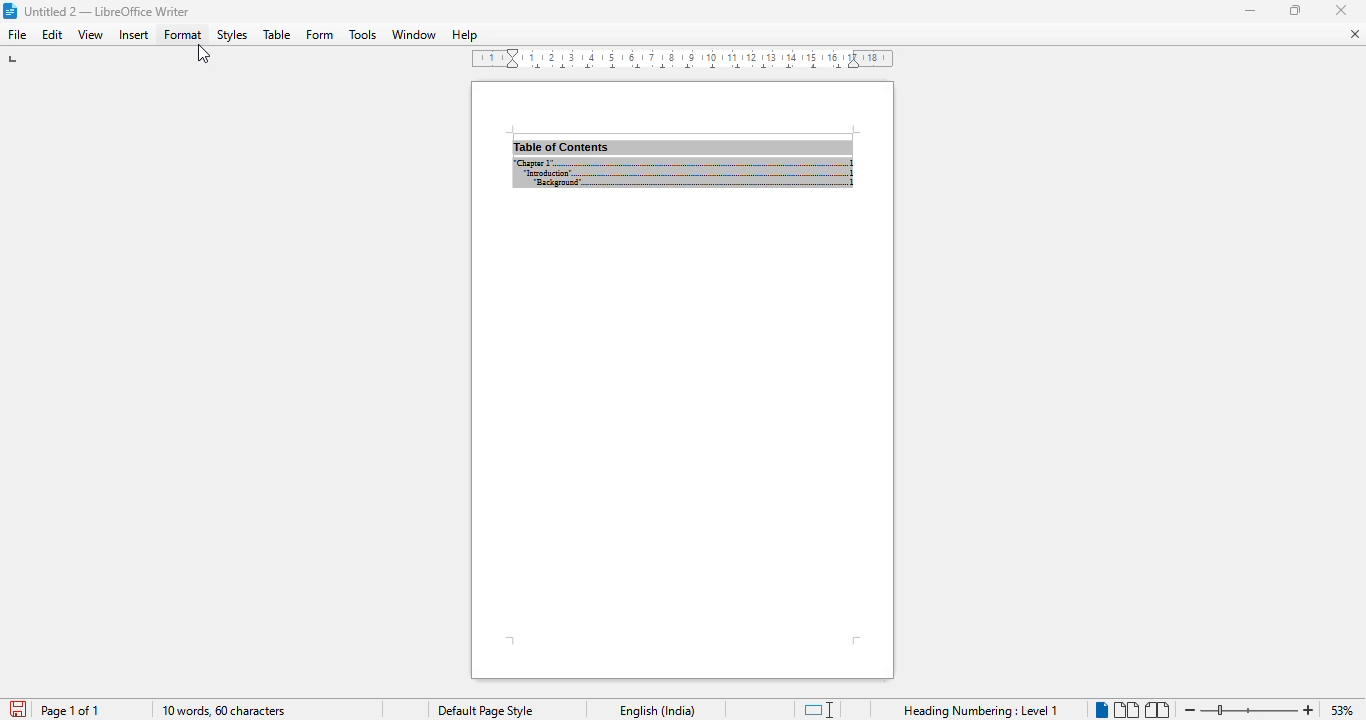 This screenshot has height=720, width=1366. I want to click on 10 words, 60 characters, so click(224, 711).